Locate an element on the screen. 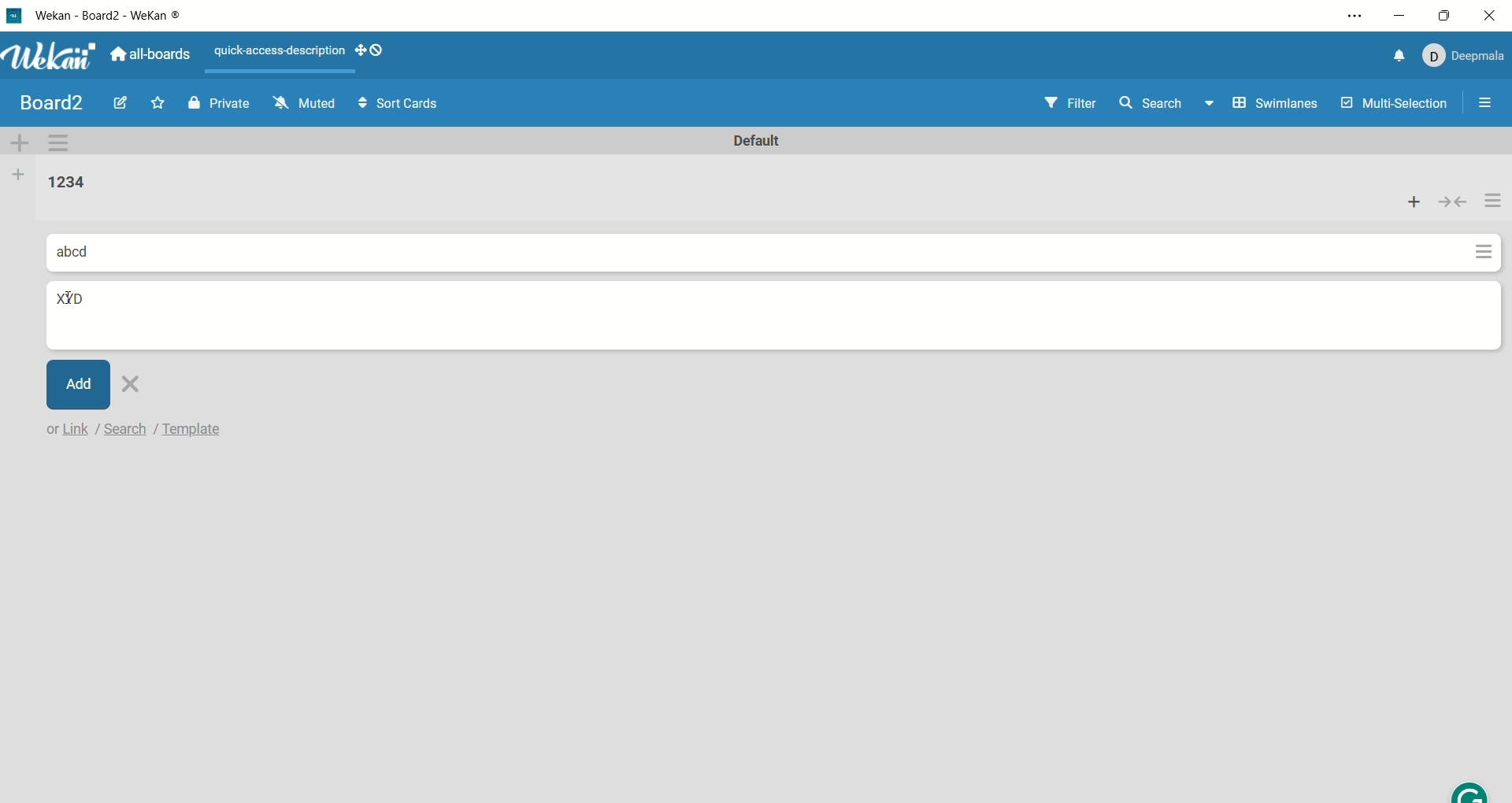 Image resolution: width=1512 pixels, height=803 pixels. edit is located at coordinates (119, 105).